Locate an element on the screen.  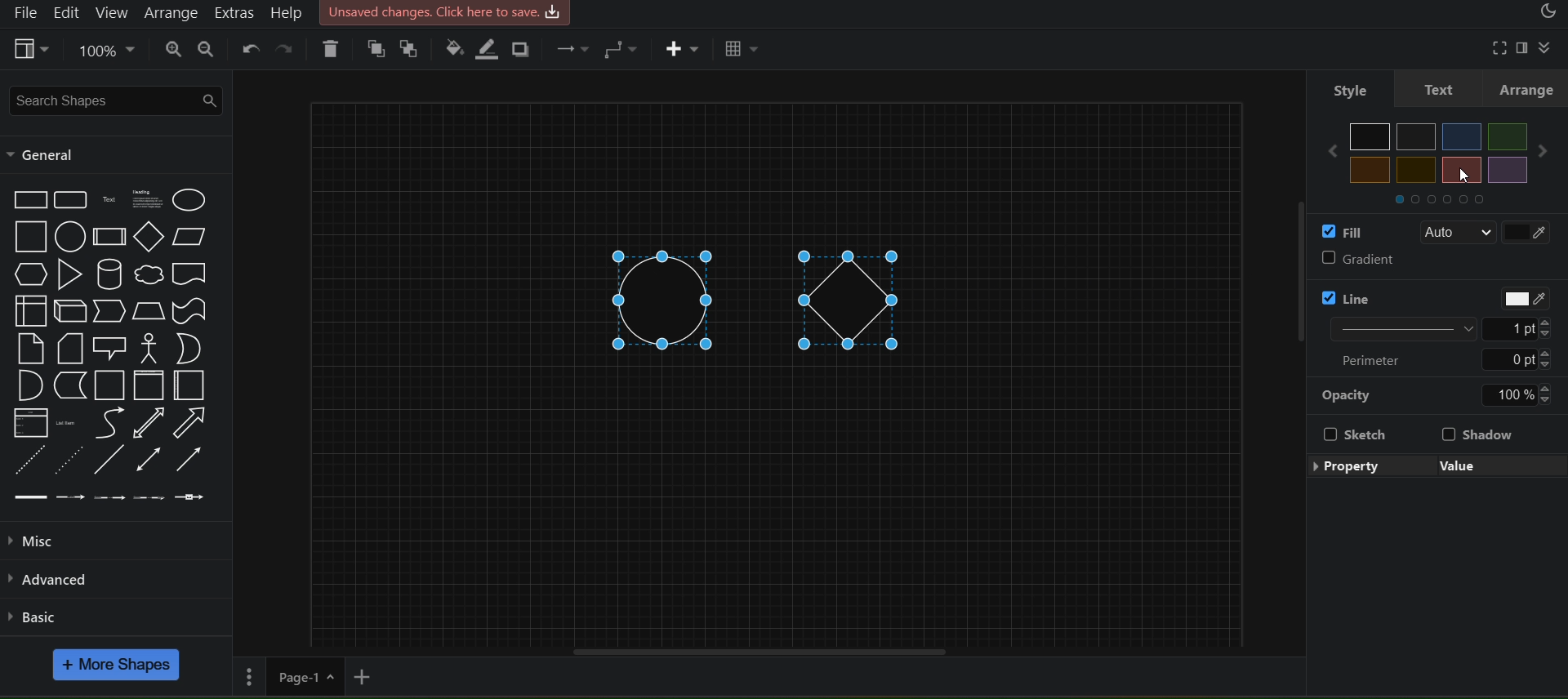
zoom out is located at coordinates (207, 48).